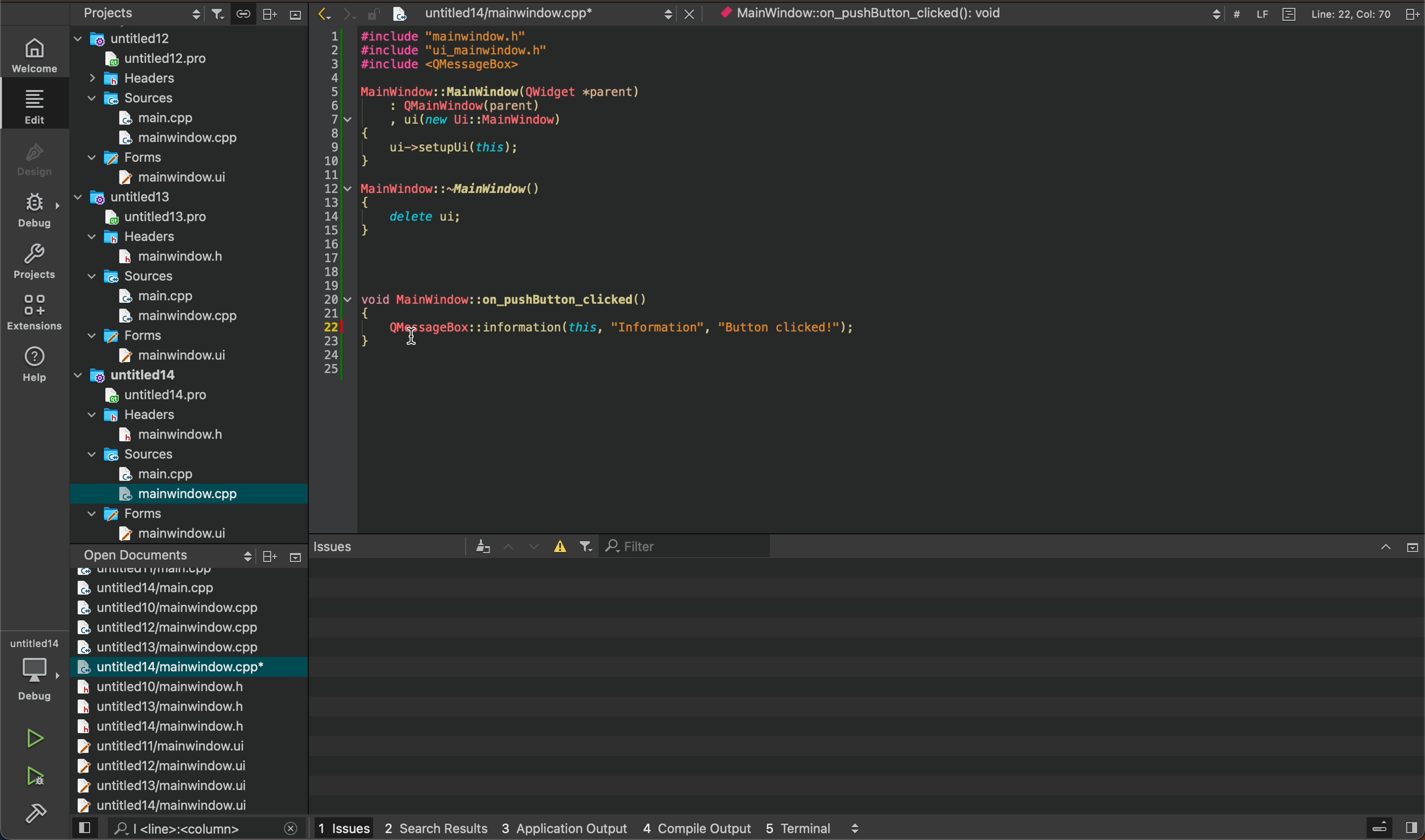  I want to click on Extensions, so click(31, 312).